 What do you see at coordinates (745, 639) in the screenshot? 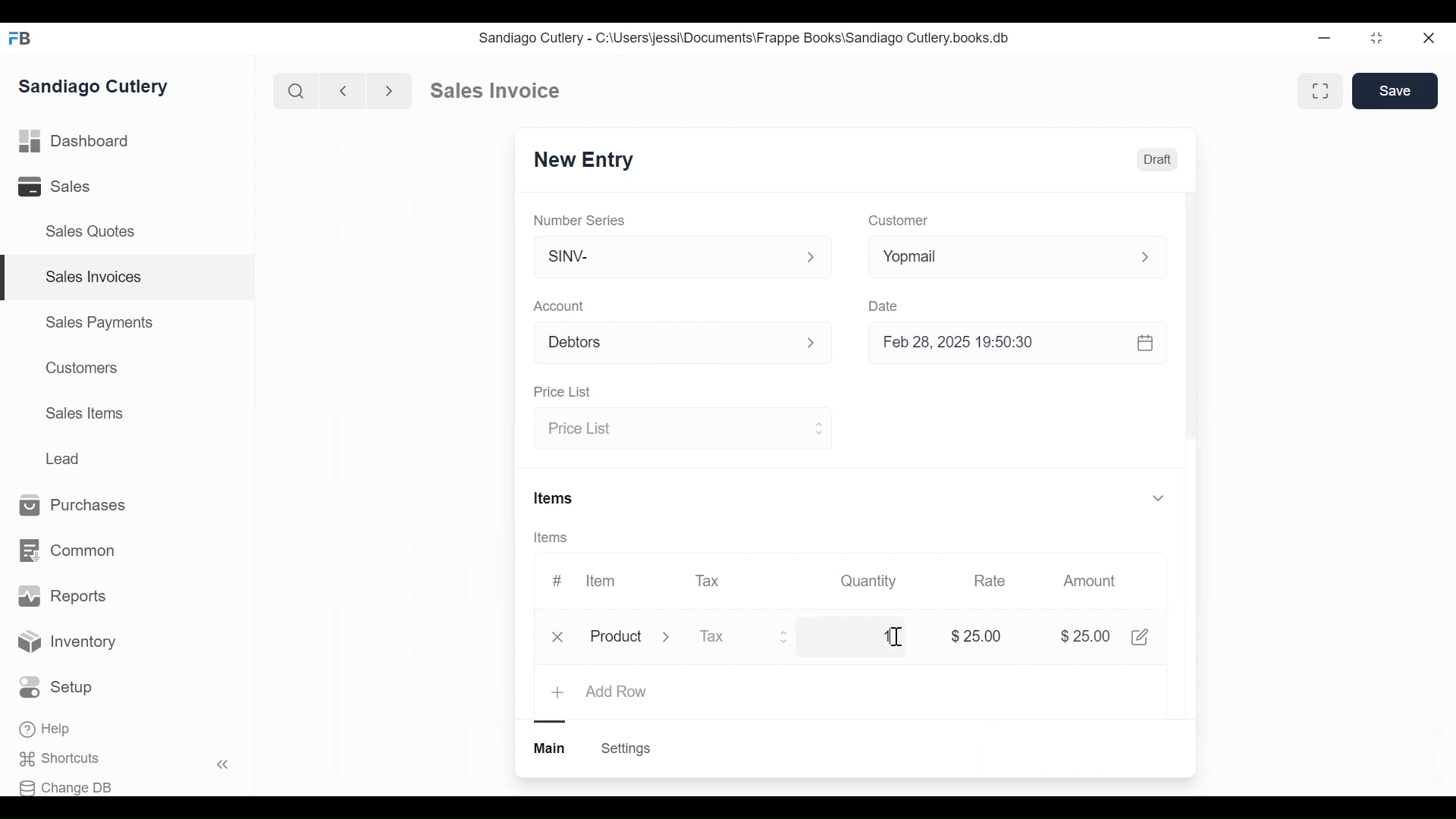
I see `Tax ` at bounding box center [745, 639].